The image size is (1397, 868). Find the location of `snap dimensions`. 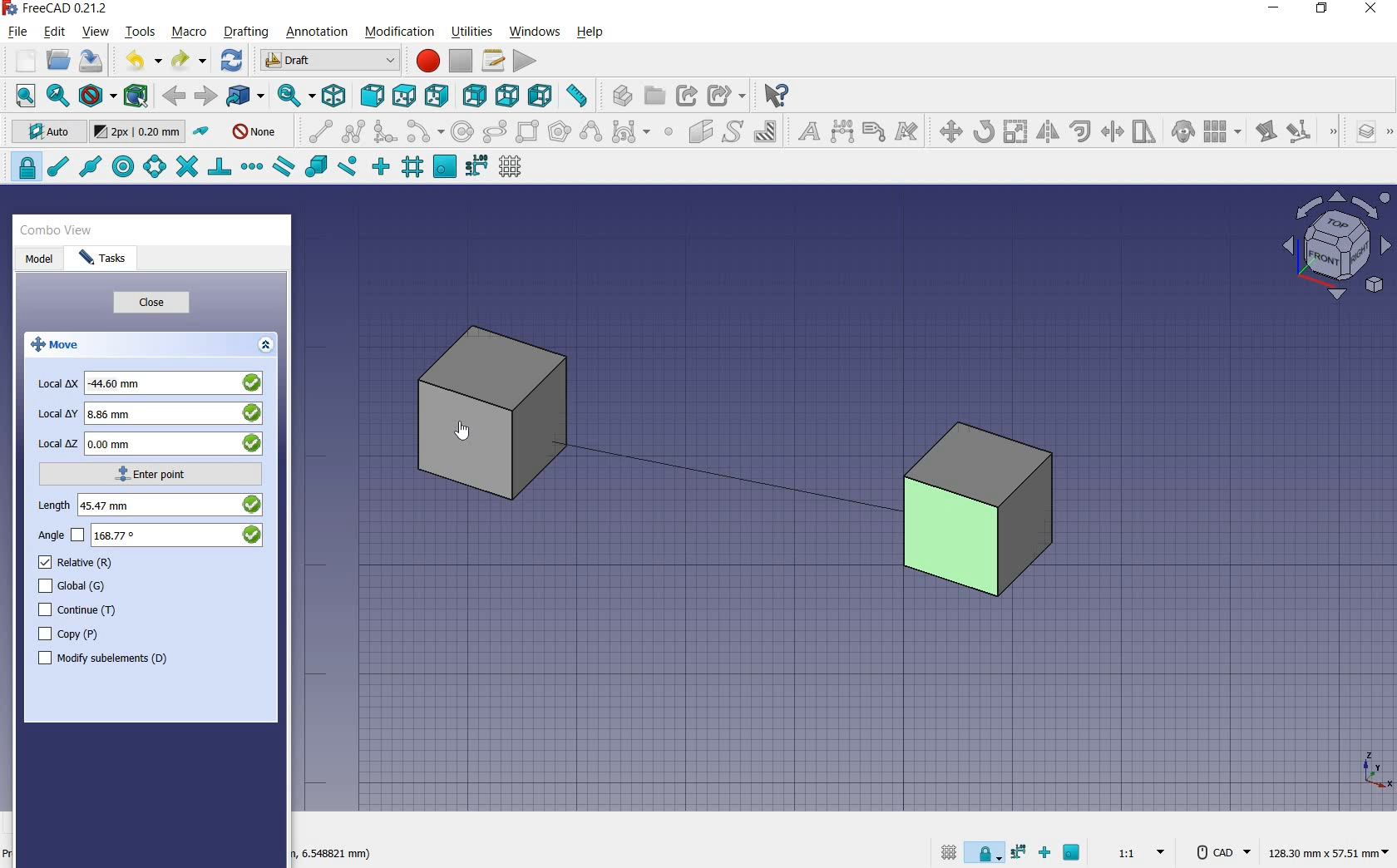

snap dimensions is located at coordinates (477, 167).